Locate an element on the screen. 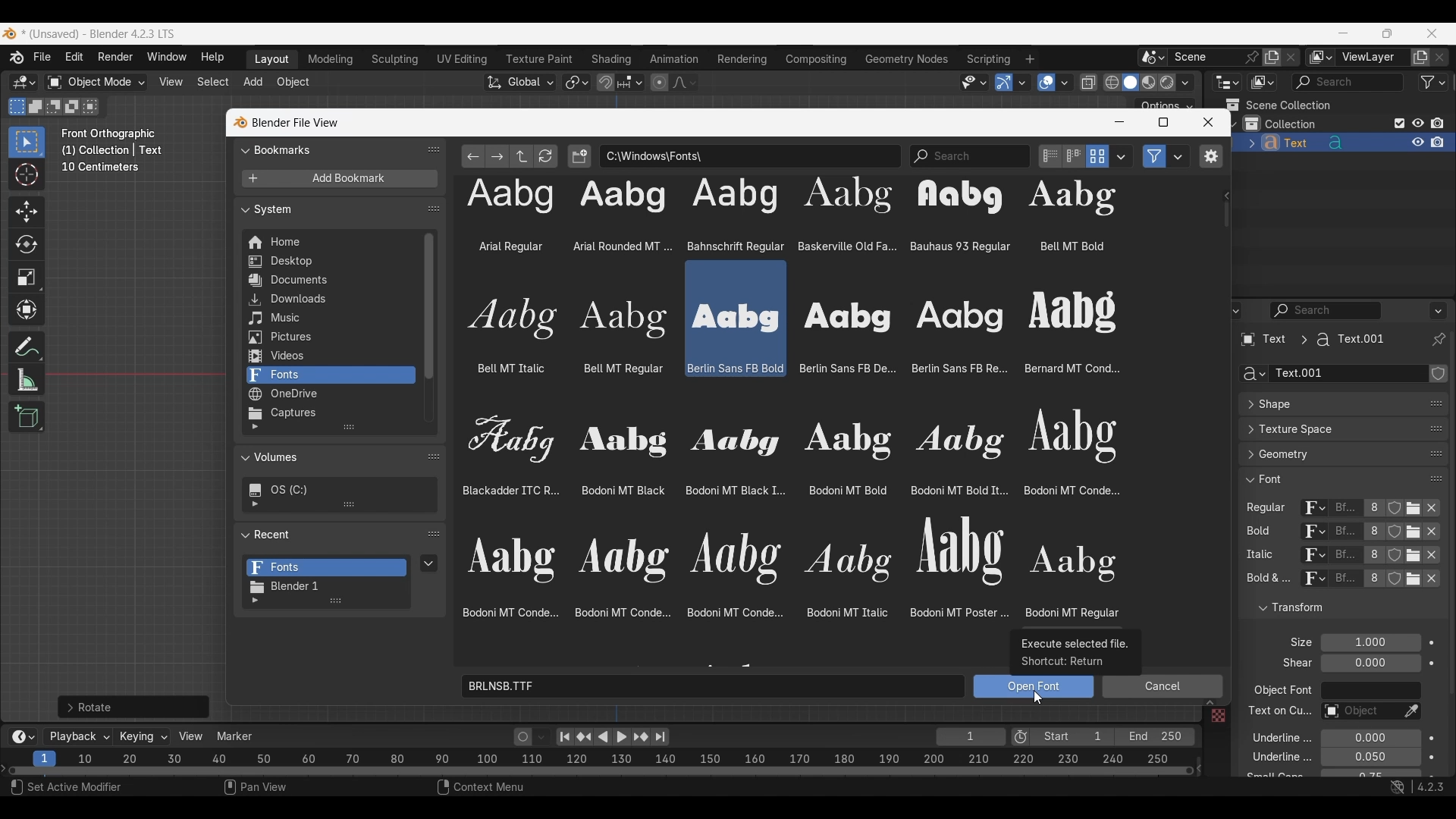 The image size is (1456, 819). Underline Thickness is located at coordinates (1370, 758).